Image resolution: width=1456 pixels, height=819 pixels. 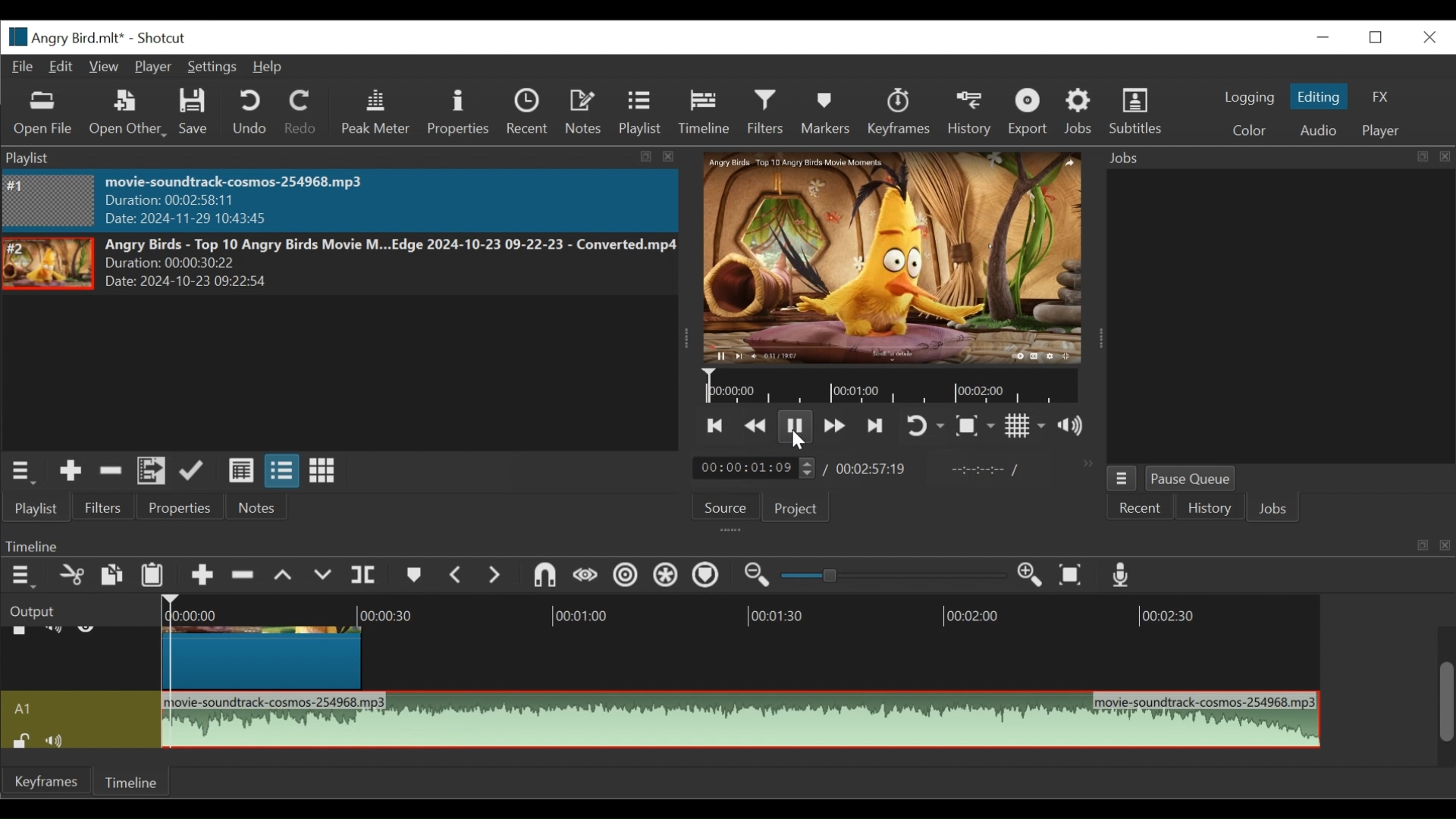 I want to click on Lift, so click(x=285, y=576).